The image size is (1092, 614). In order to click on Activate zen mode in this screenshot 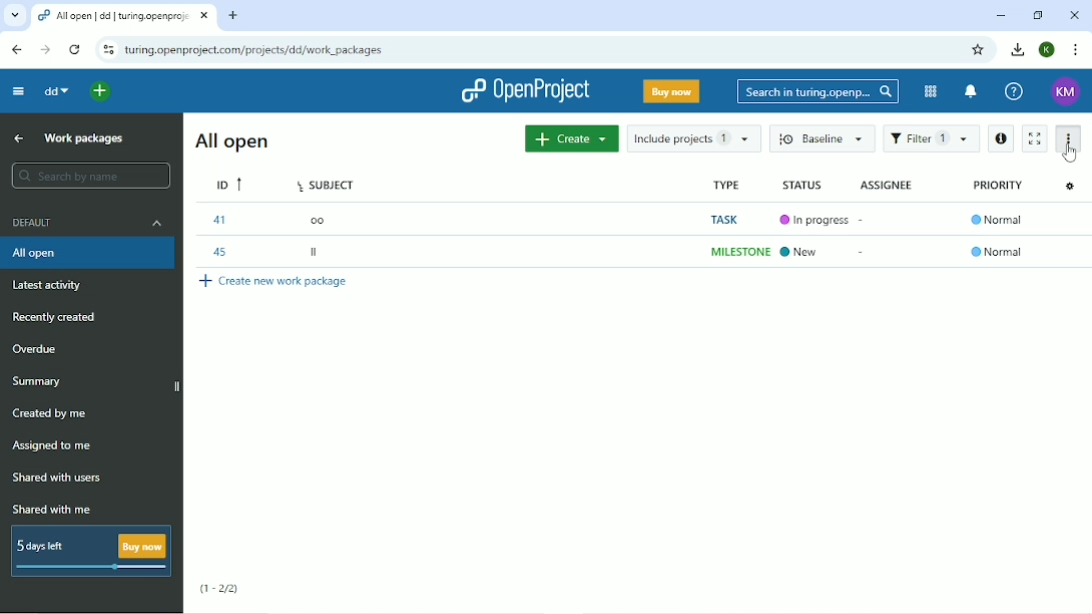, I will do `click(1035, 138)`.